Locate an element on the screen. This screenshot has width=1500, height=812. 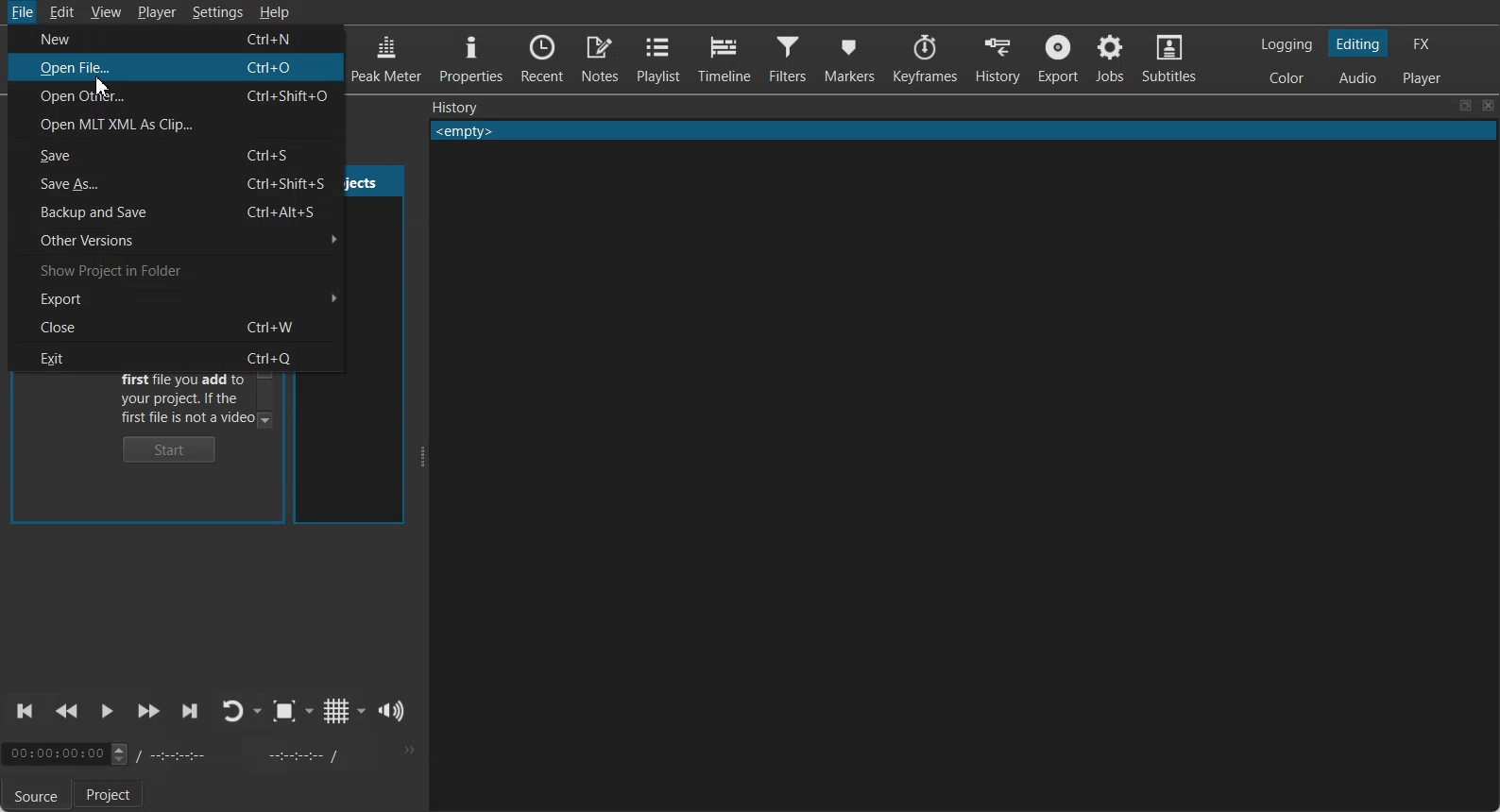
Start is located at coordinates (170, 449).